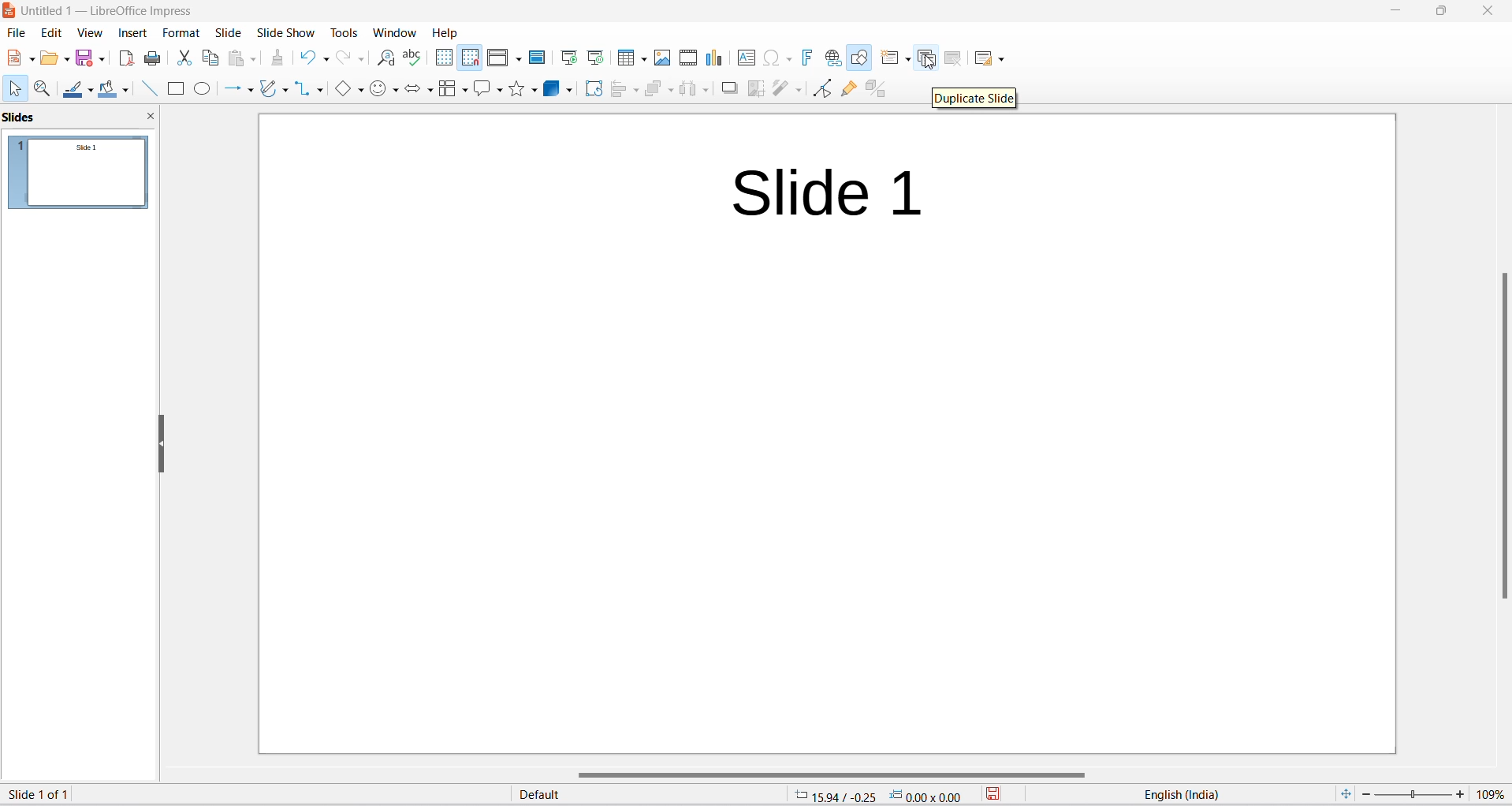  What do you see at coordinates (719, 59) in the screenshot?
I see `insert chart` at bounding box center [719, 59].